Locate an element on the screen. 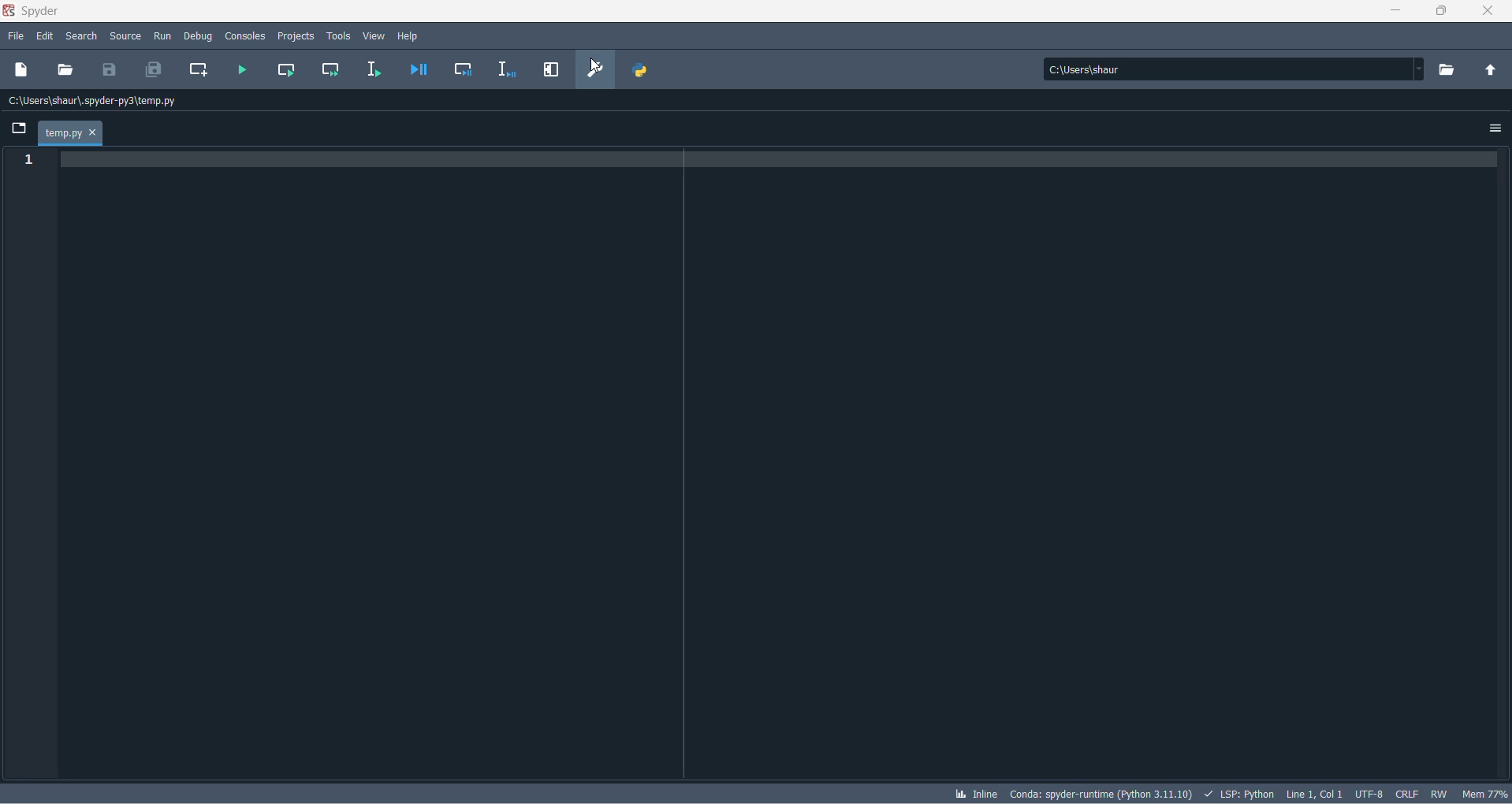 The image size is (1512, 804). script is located at coordinates (1239, 792).